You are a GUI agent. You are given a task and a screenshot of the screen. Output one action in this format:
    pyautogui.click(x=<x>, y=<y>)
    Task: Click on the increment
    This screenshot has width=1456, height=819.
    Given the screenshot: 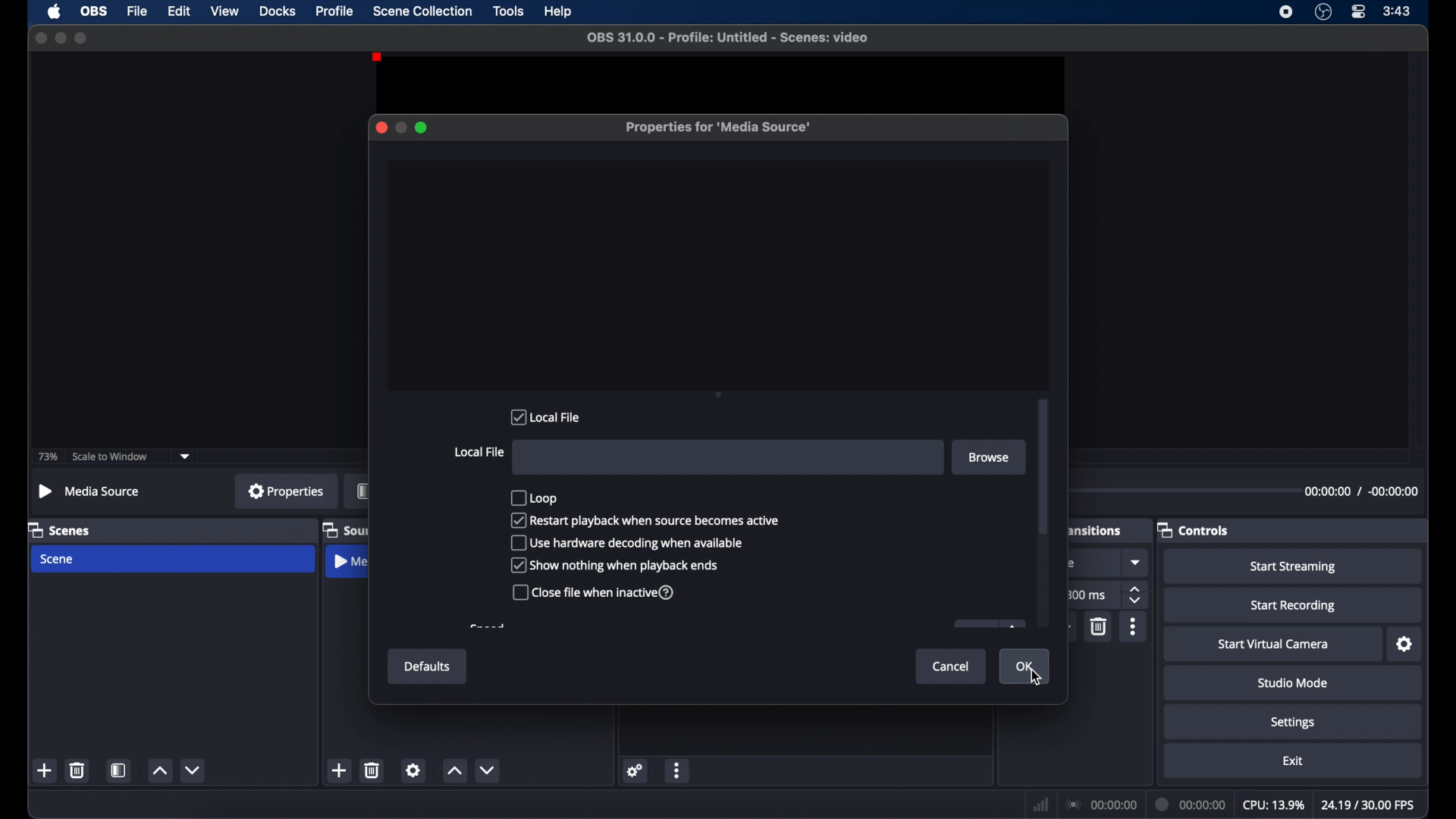 What is the action you would take?
    pyautogui.click(x=454, y=771)
    